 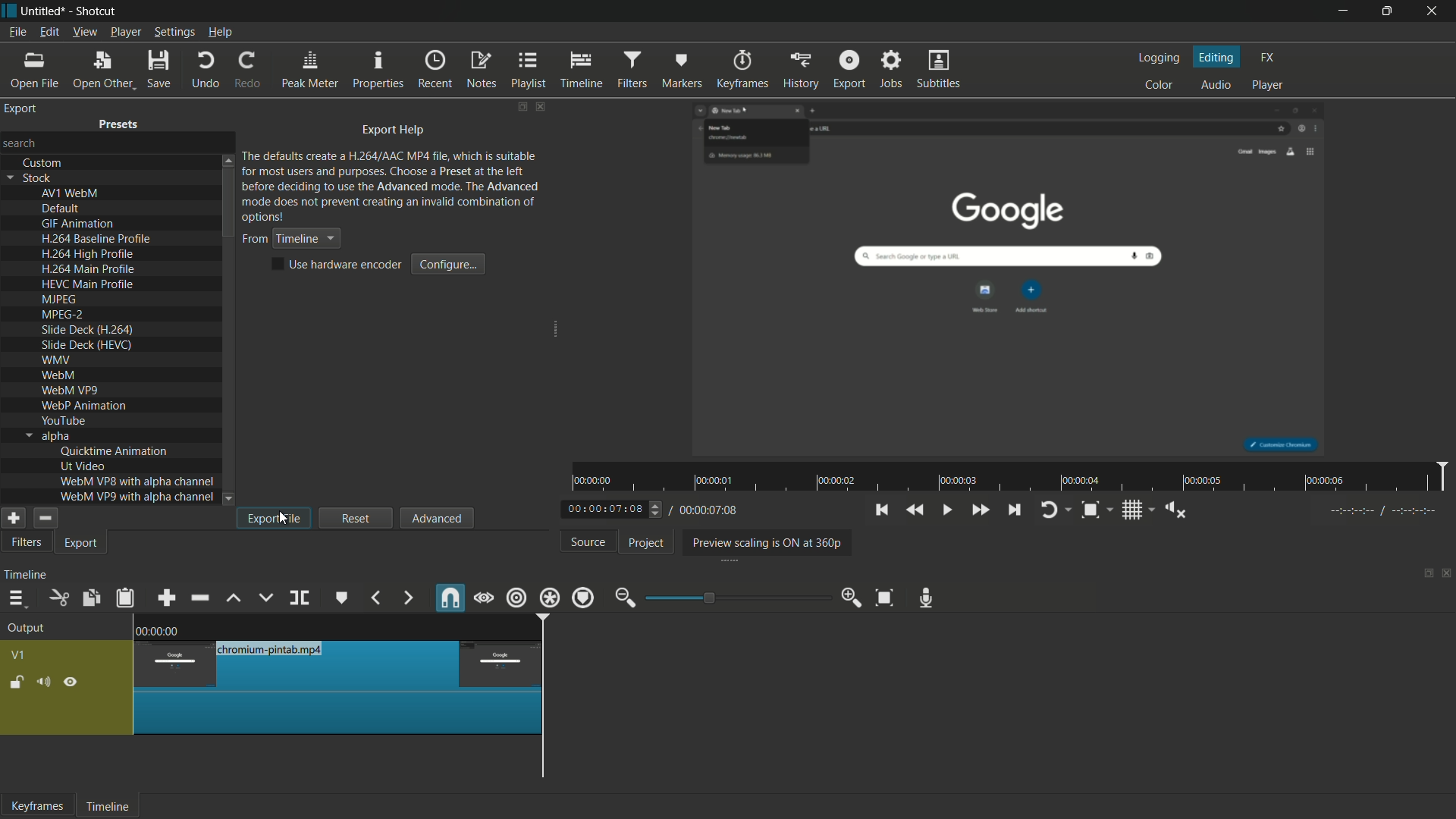 I want to click on hevc main profile, so click(x=88, y=284).